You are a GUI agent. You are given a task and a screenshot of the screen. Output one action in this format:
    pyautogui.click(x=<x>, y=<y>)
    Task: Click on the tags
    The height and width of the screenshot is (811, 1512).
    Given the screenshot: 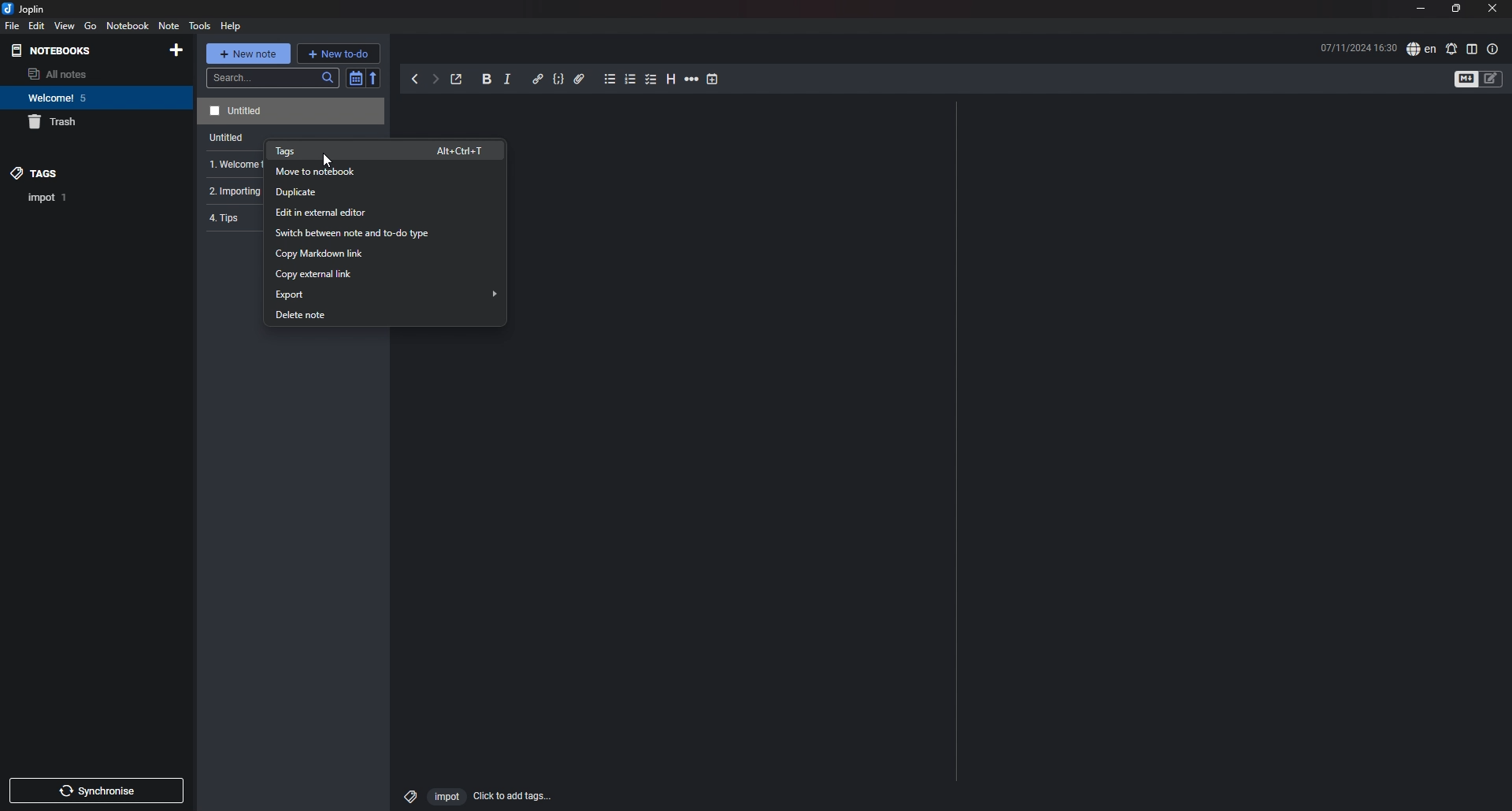 What is the action you would take?
    pyautogui.click(x=76, y=172)
    